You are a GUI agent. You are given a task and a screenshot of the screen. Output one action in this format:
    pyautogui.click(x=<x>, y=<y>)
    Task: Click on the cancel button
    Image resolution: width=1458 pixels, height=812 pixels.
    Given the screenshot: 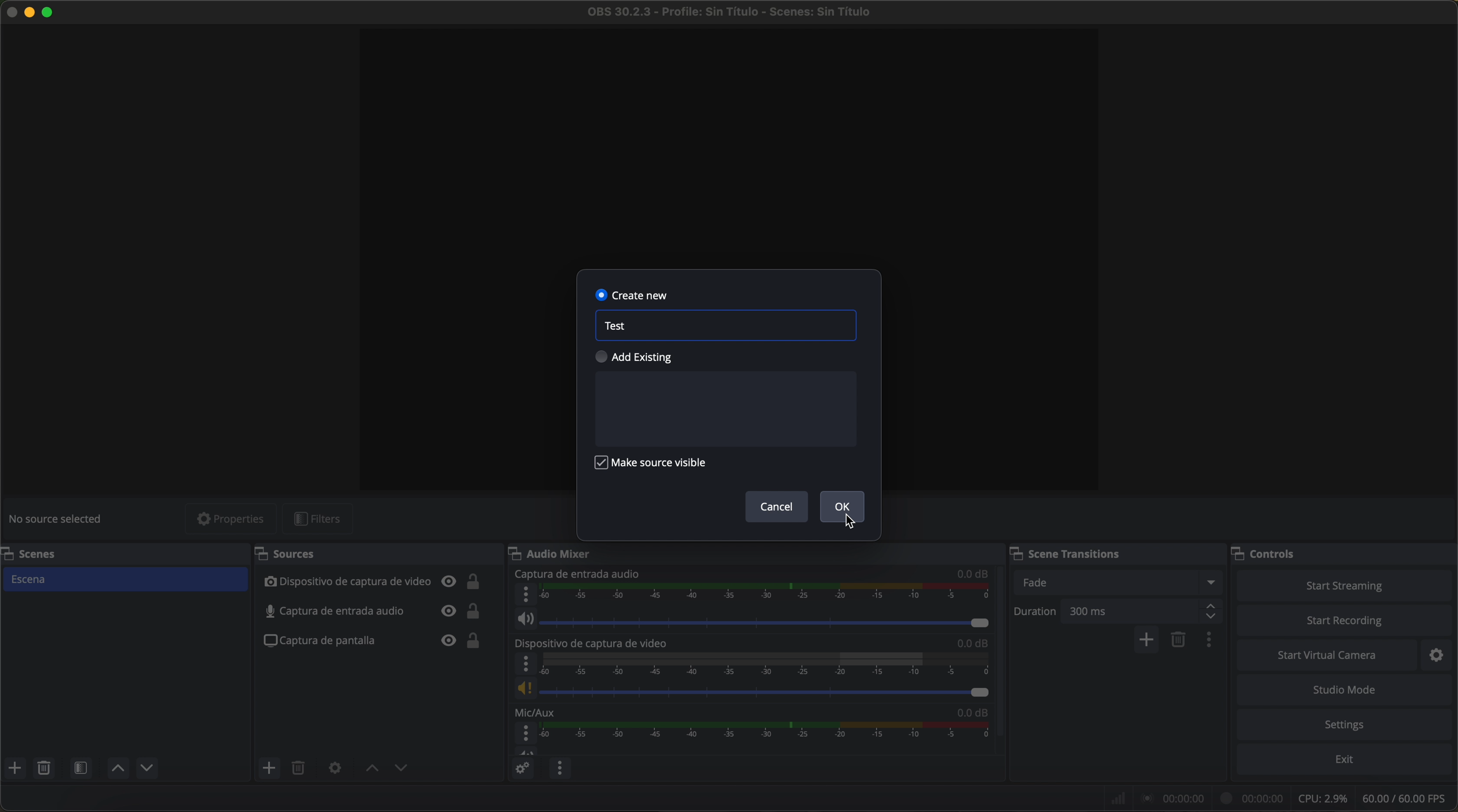 What is the action you would take?
    pyautogui.click(x=777, y=507)
    